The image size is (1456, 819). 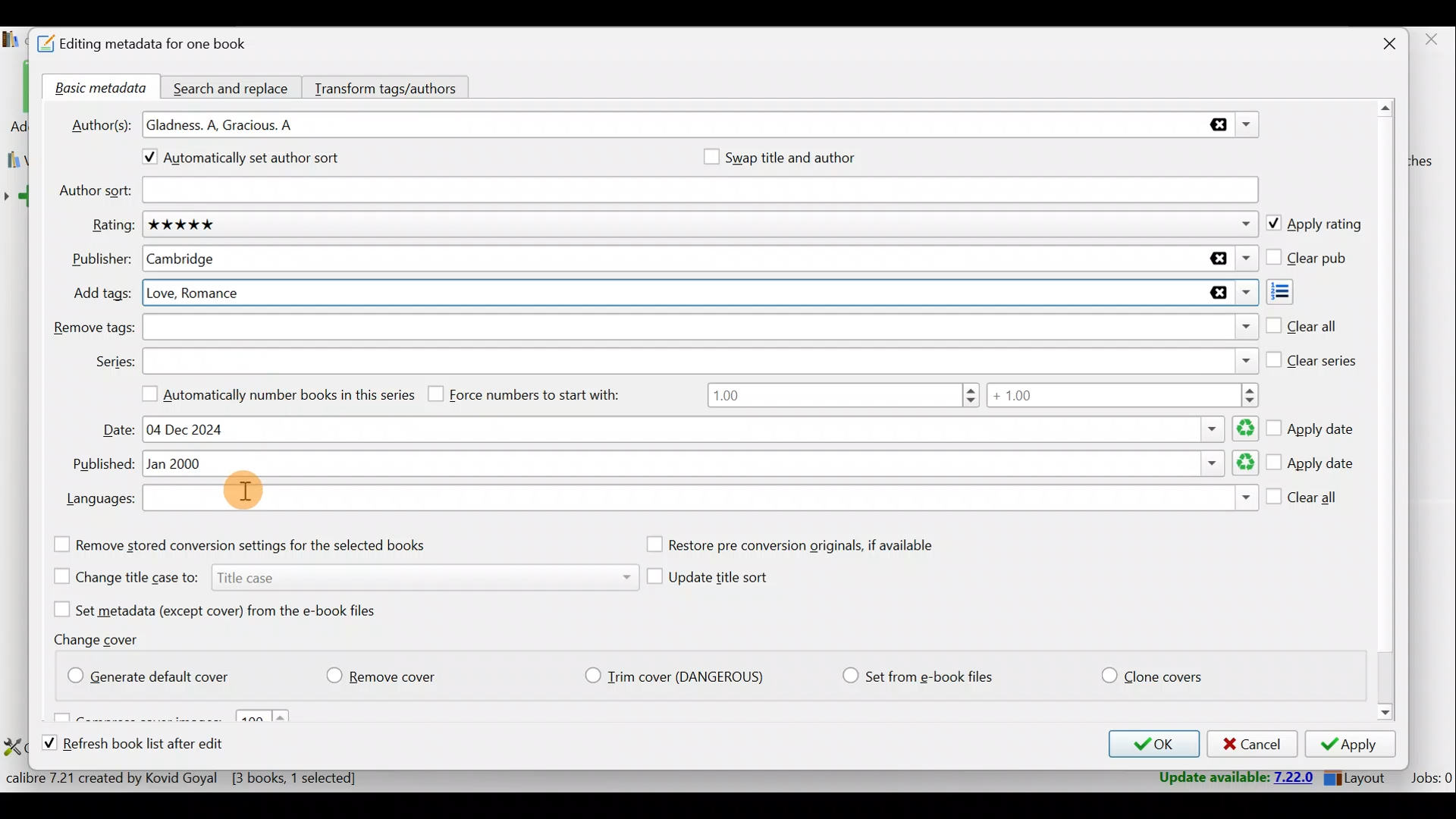 I want to click on Transform tags/authors, so click(x=392, y=86).